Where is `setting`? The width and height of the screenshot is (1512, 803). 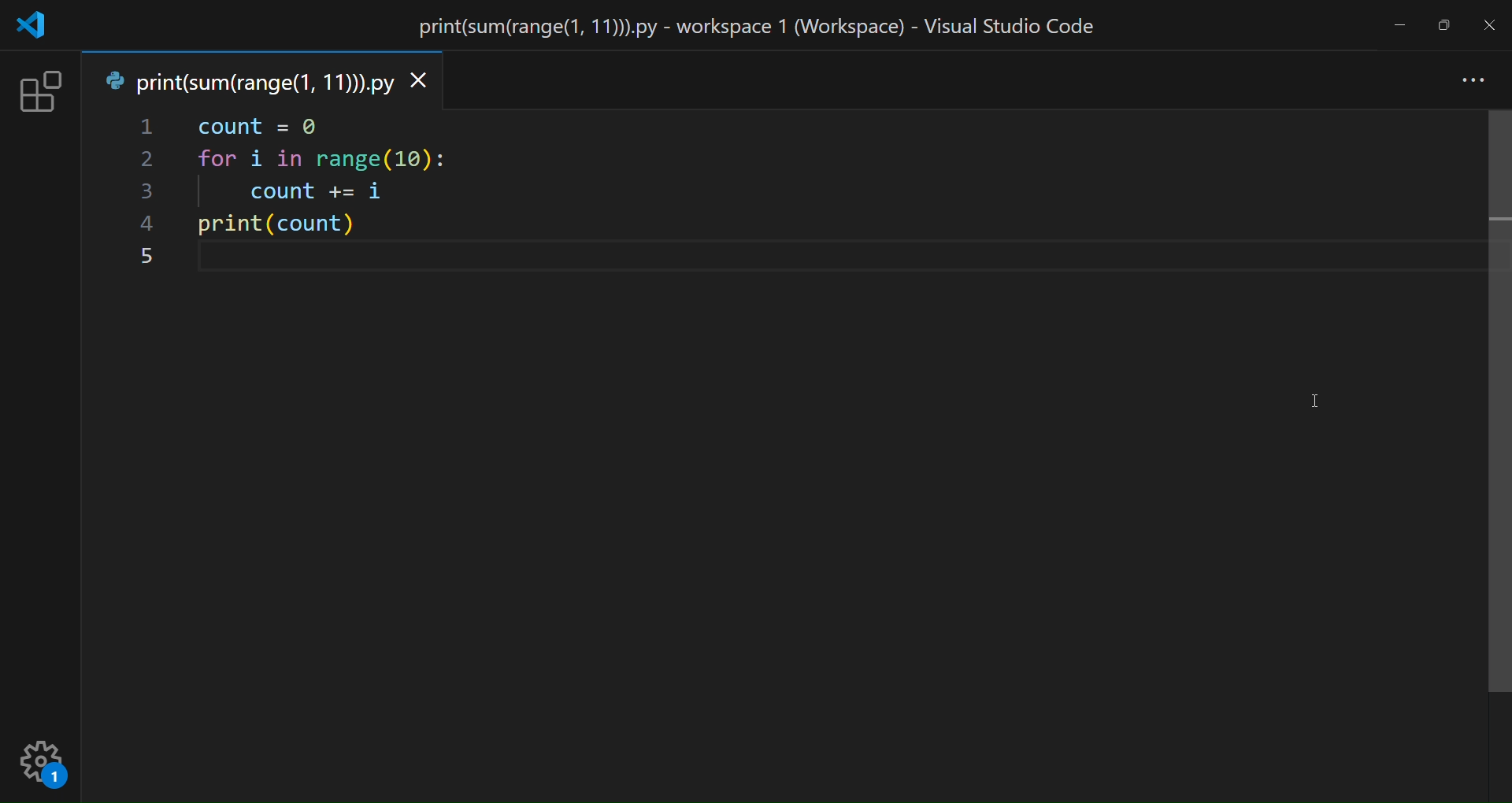
setting is located at coordinates (43, 766).